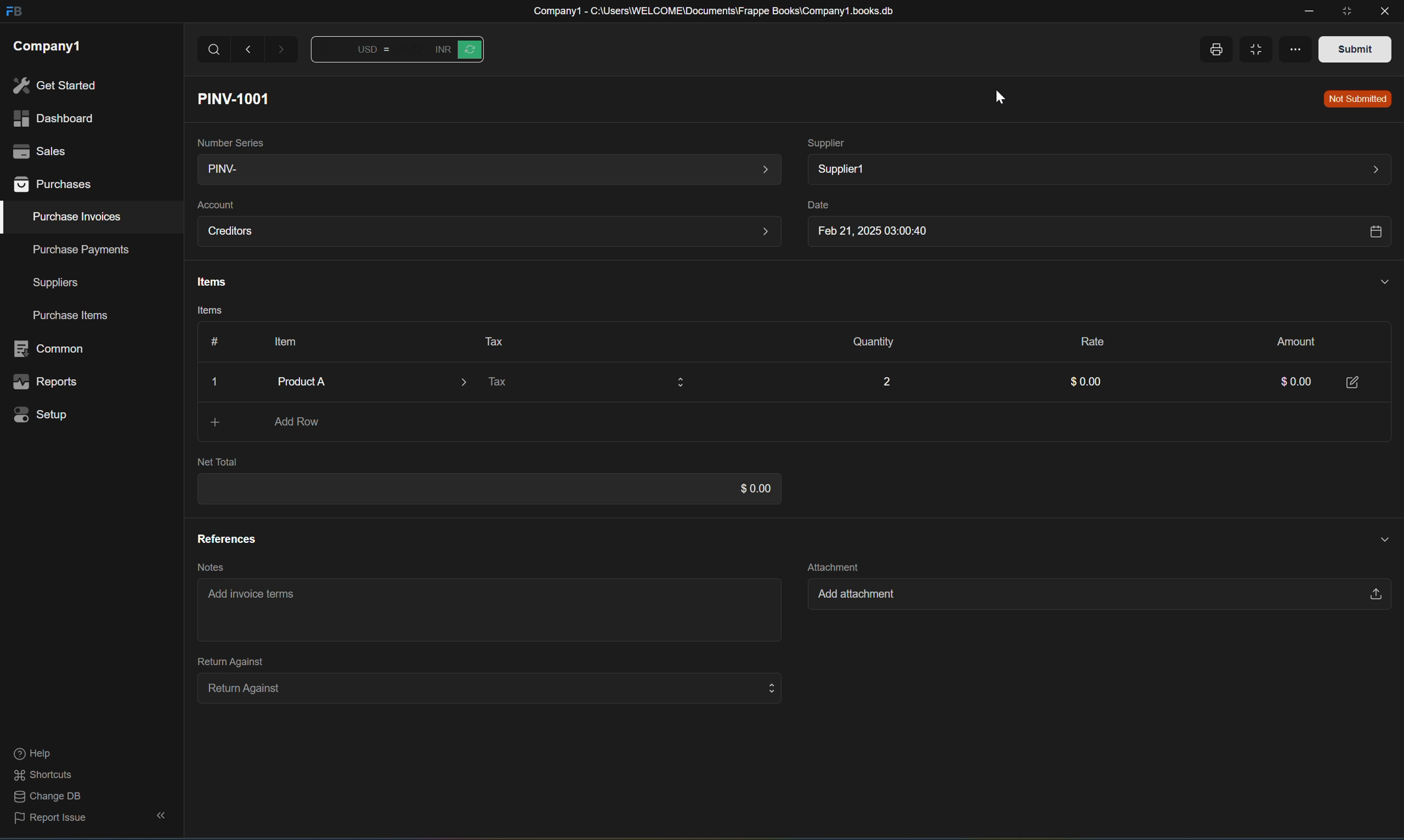 The height and width of the screenshot is (840, 1404). Describe the element at coordinates (37, 149) in the screenshot. I see `sales` at that location.